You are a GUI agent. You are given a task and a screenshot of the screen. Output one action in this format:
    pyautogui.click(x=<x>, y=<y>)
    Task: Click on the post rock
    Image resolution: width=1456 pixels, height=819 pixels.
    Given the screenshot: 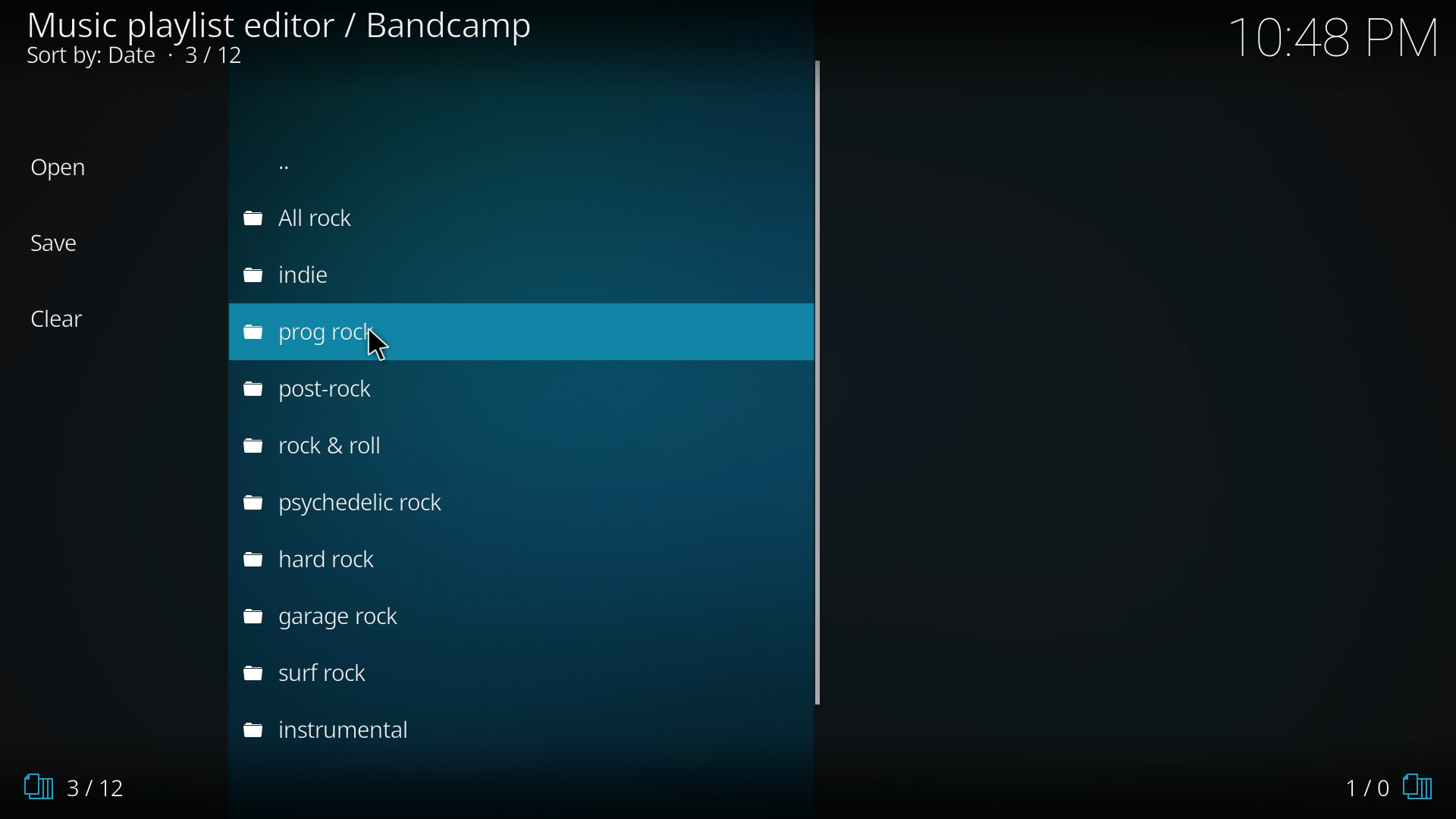 What is the action you would take?
    pyautogui.click(x=334, y=389)
    